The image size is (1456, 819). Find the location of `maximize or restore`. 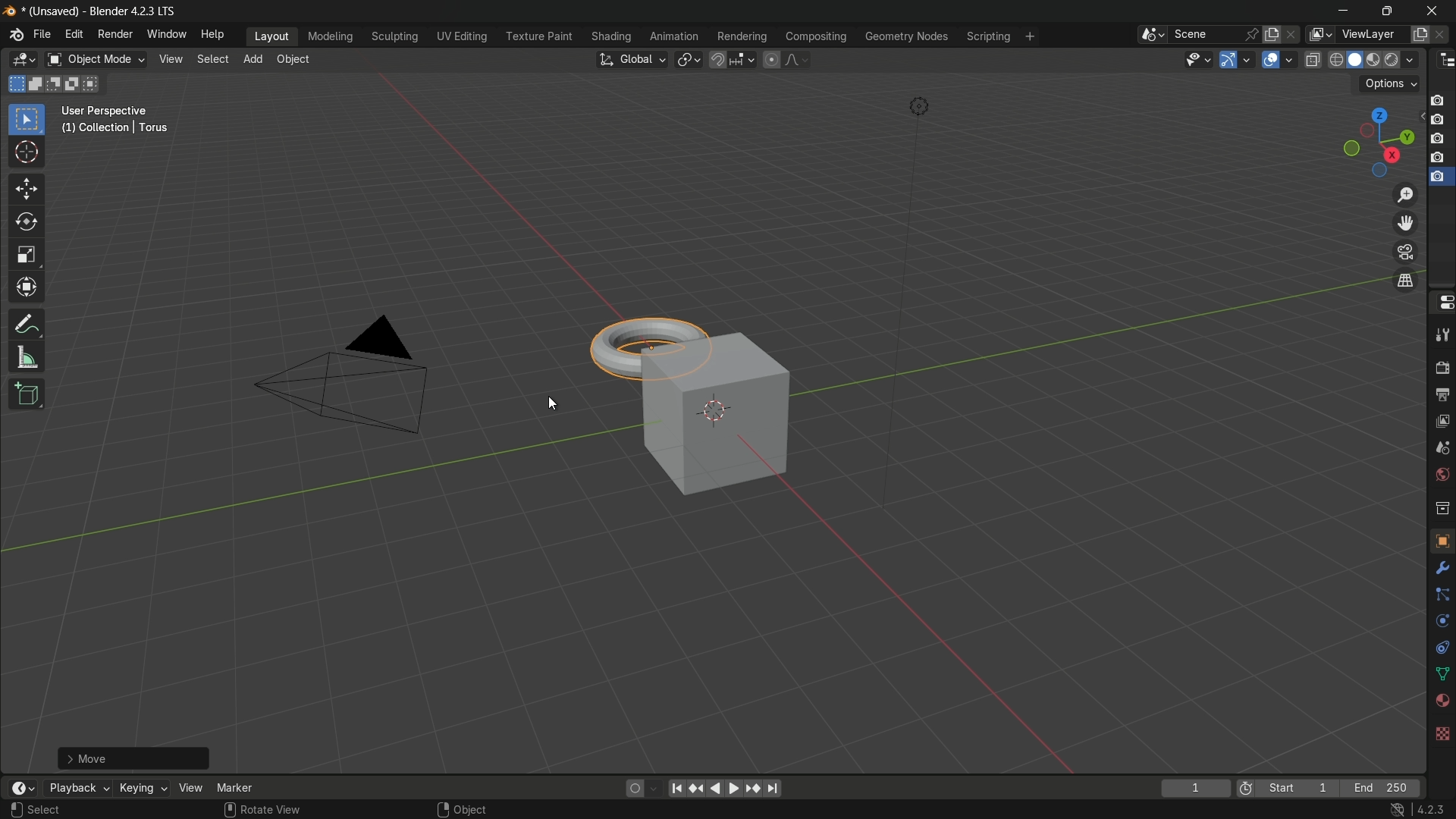

maximize or restore is located at coordinates (1388, 11).